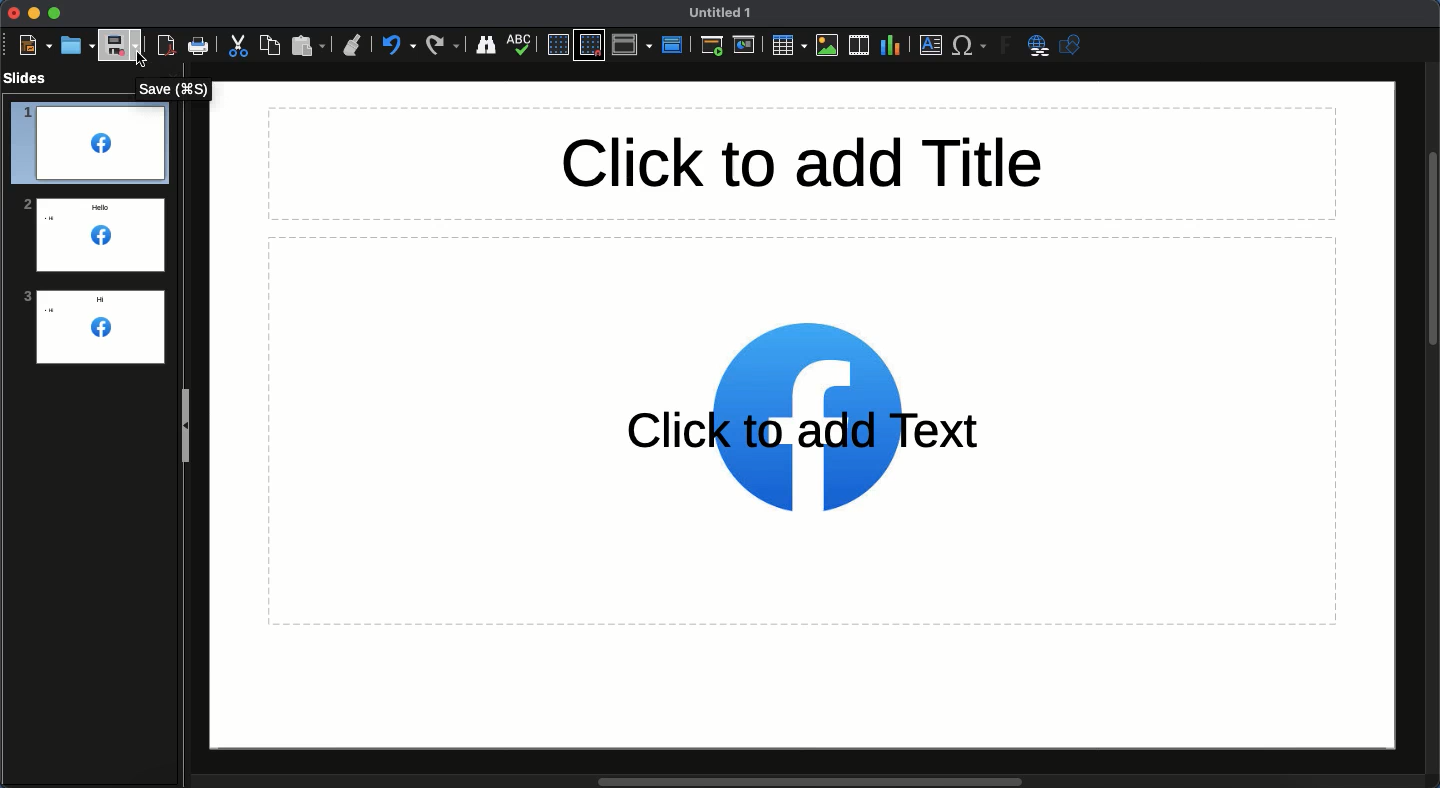 Image resolution: width=1440 pixels, height=788 pixels. I want to click on Close, so click(11, 15).